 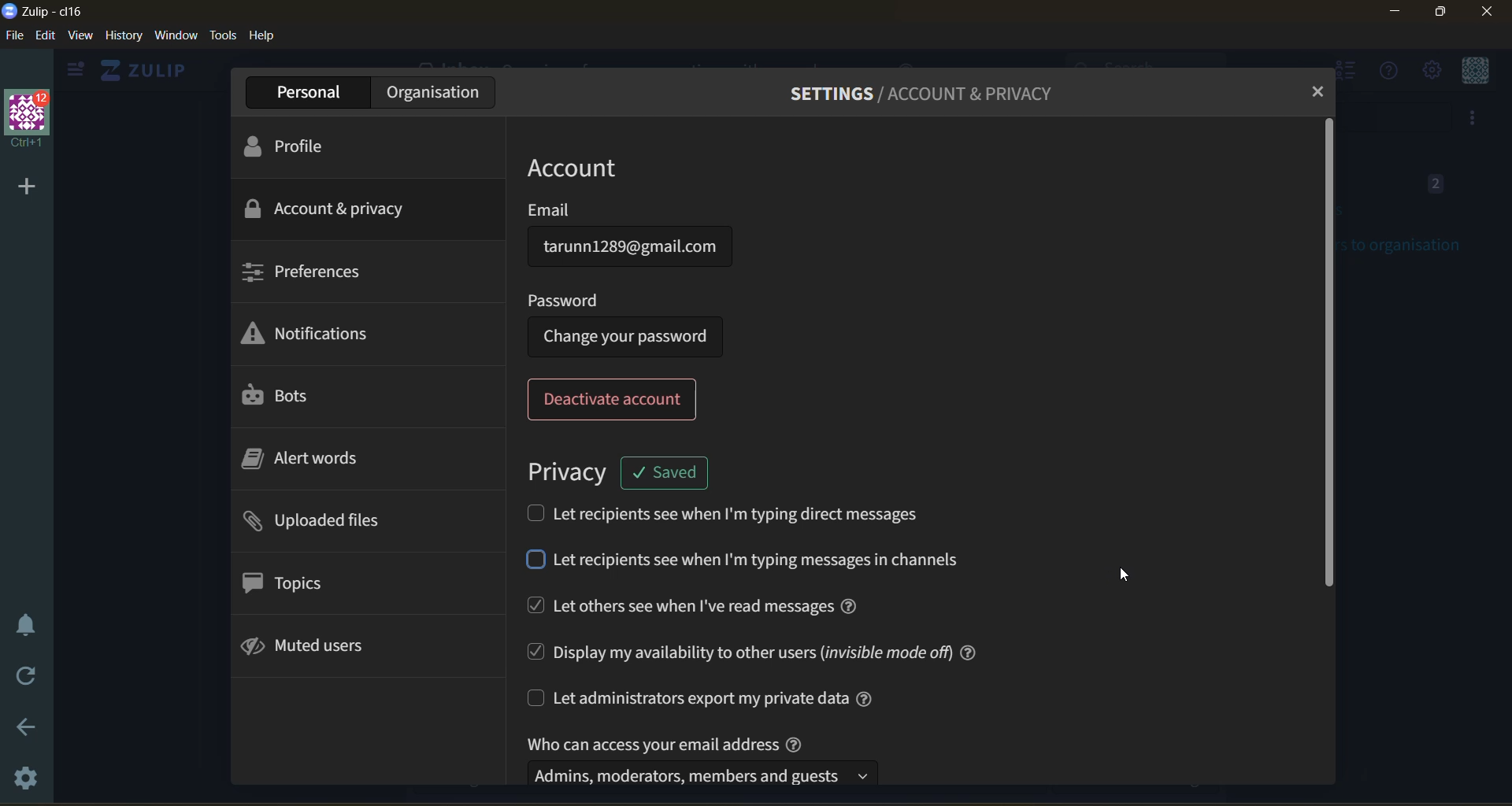 I want to click on add organisation, so click(x=20, y=183).